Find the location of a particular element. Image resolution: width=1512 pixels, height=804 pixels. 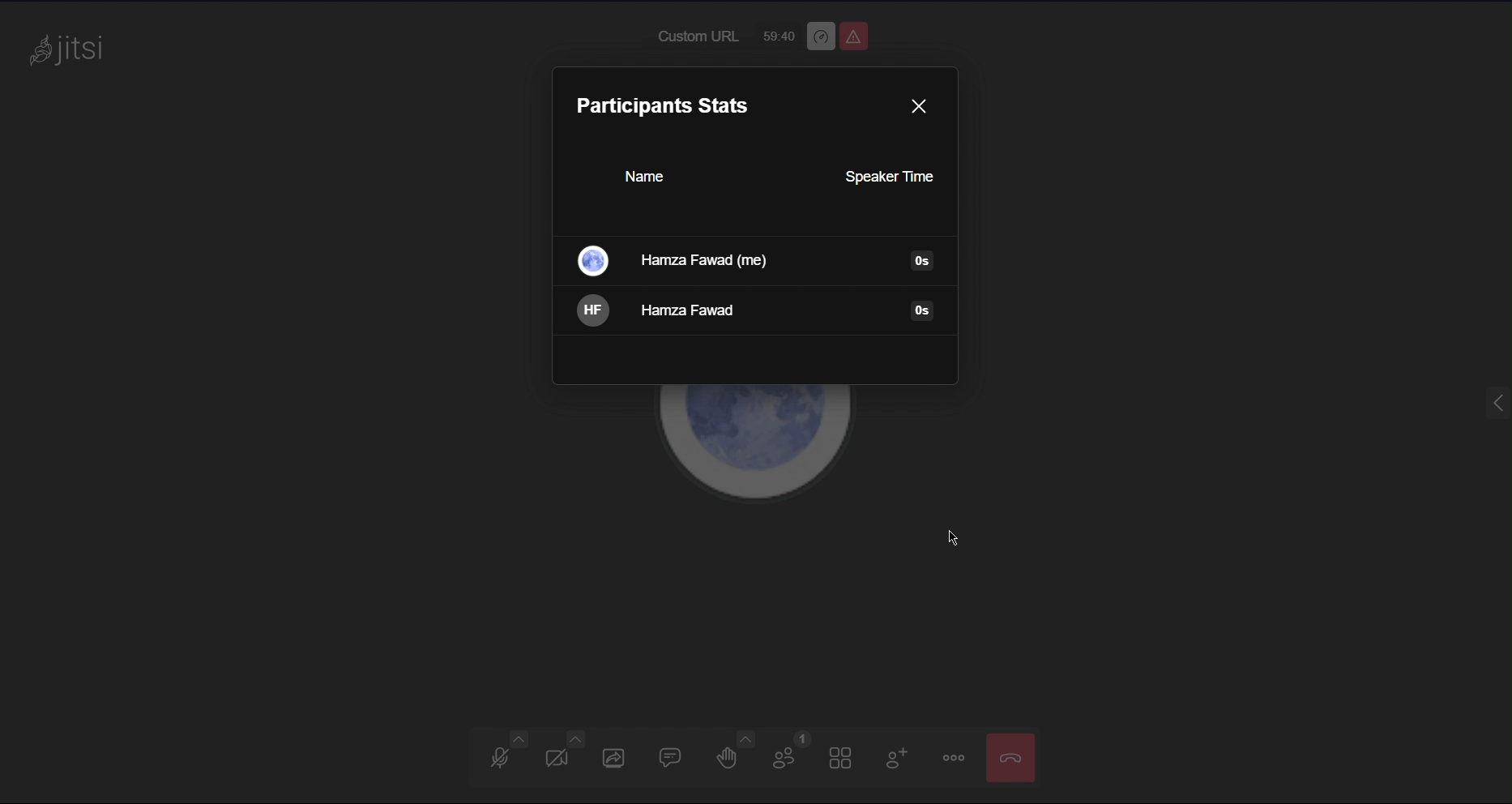

Hamza Fawad(me) is located at coordinates (692, 261).